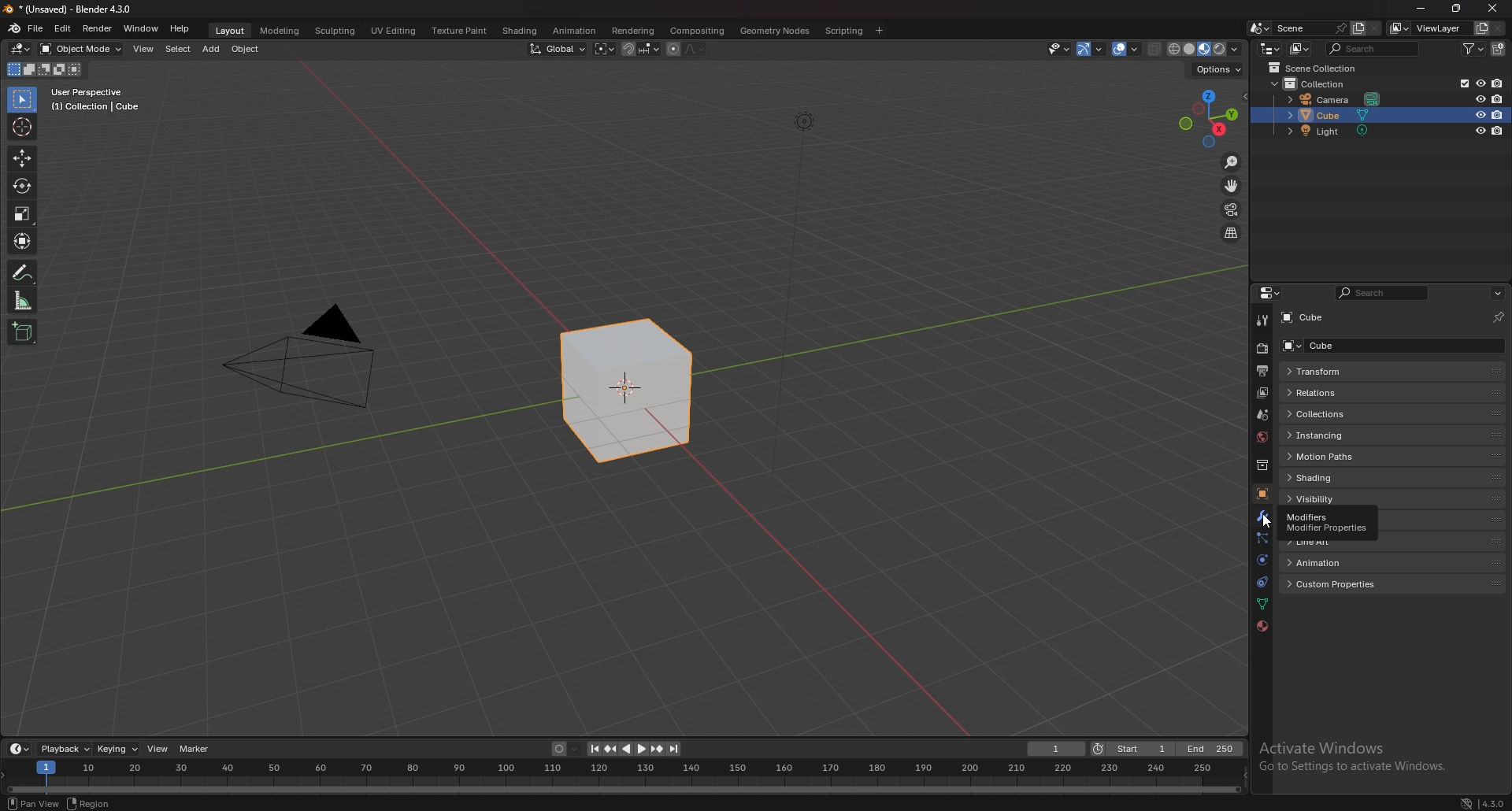  What do you see at coordinates (178, 49) in the screenshot?
I see `select` at bounding box center [178, 49].